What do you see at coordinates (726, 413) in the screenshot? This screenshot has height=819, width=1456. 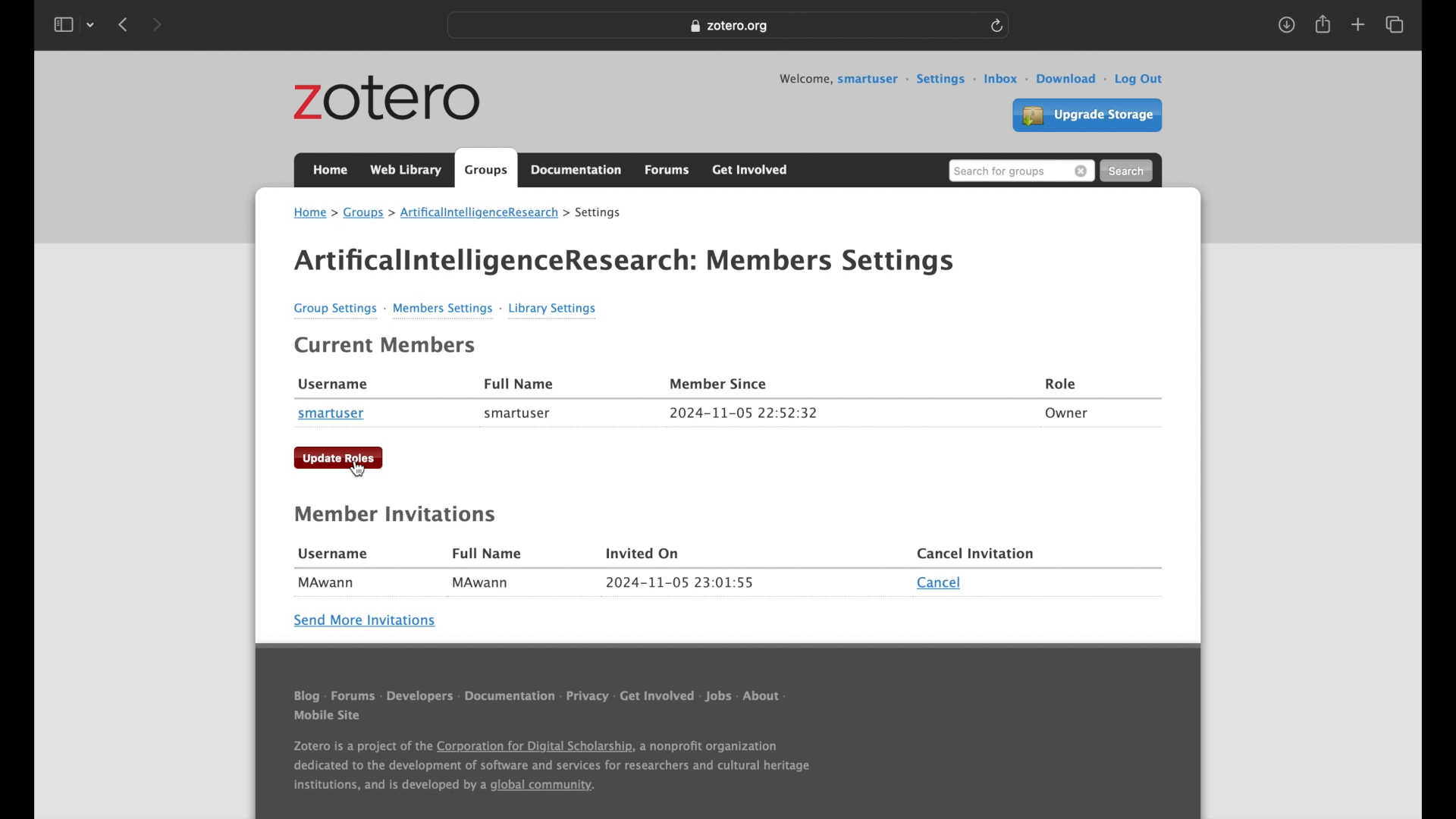 I see `2024-11-05 22:52:32` at bounding box center [726, 413].